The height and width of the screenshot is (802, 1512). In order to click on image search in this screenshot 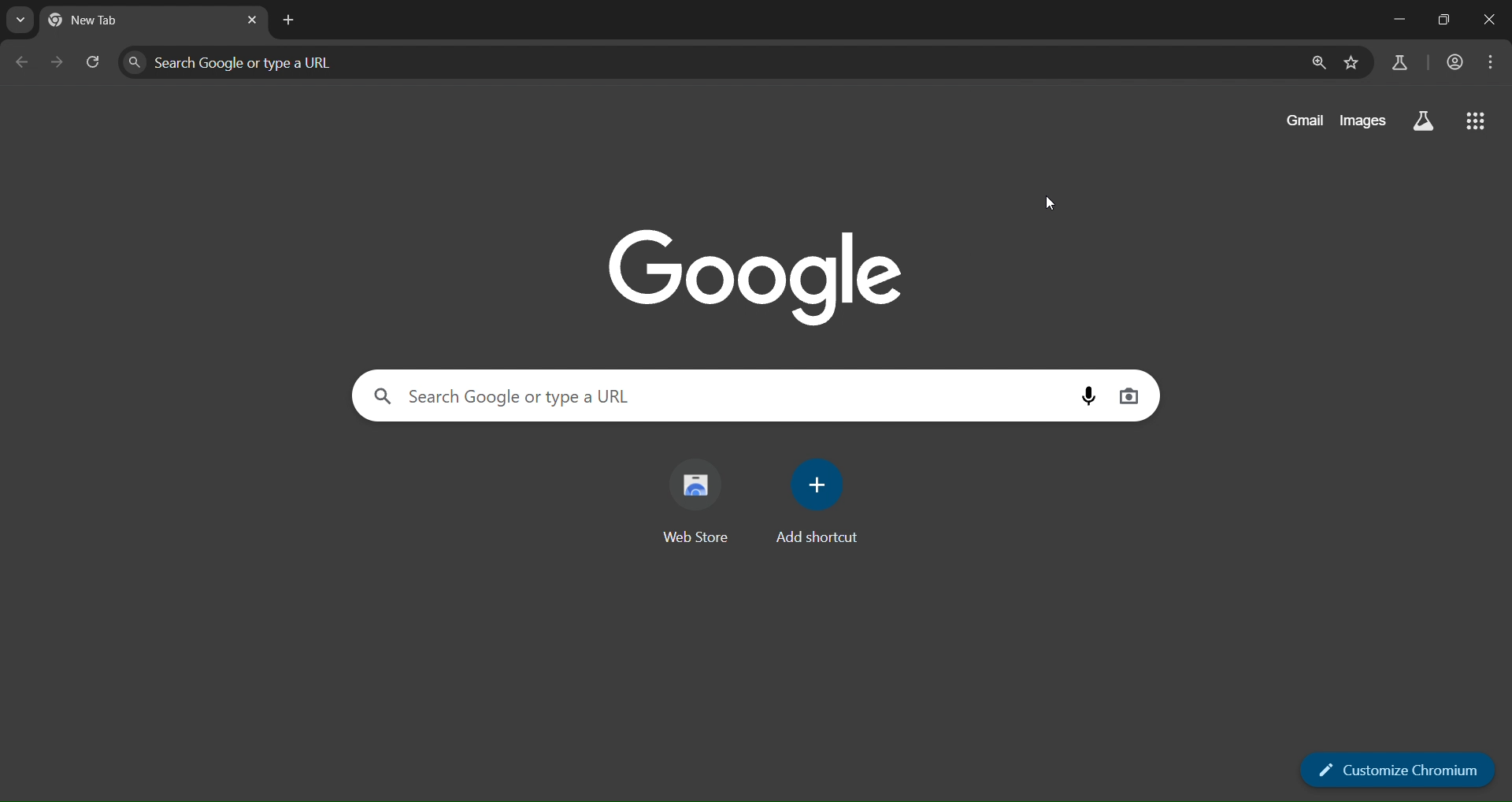, I will do `click(1131, 395)`.